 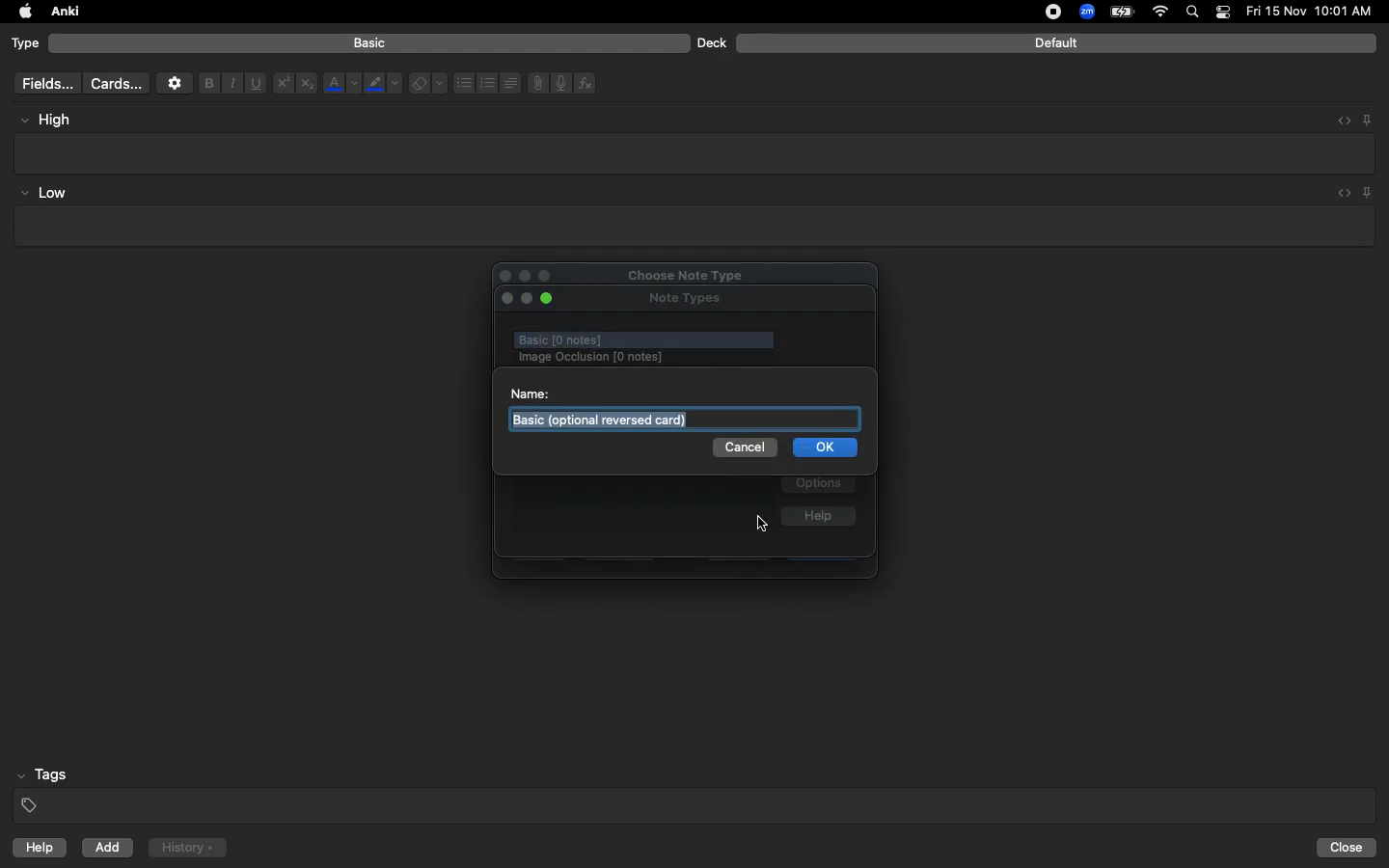 What do you see at coordinates (282, 84) in the screenshot?
I see `Superscript` at bounding box center [282, 84].